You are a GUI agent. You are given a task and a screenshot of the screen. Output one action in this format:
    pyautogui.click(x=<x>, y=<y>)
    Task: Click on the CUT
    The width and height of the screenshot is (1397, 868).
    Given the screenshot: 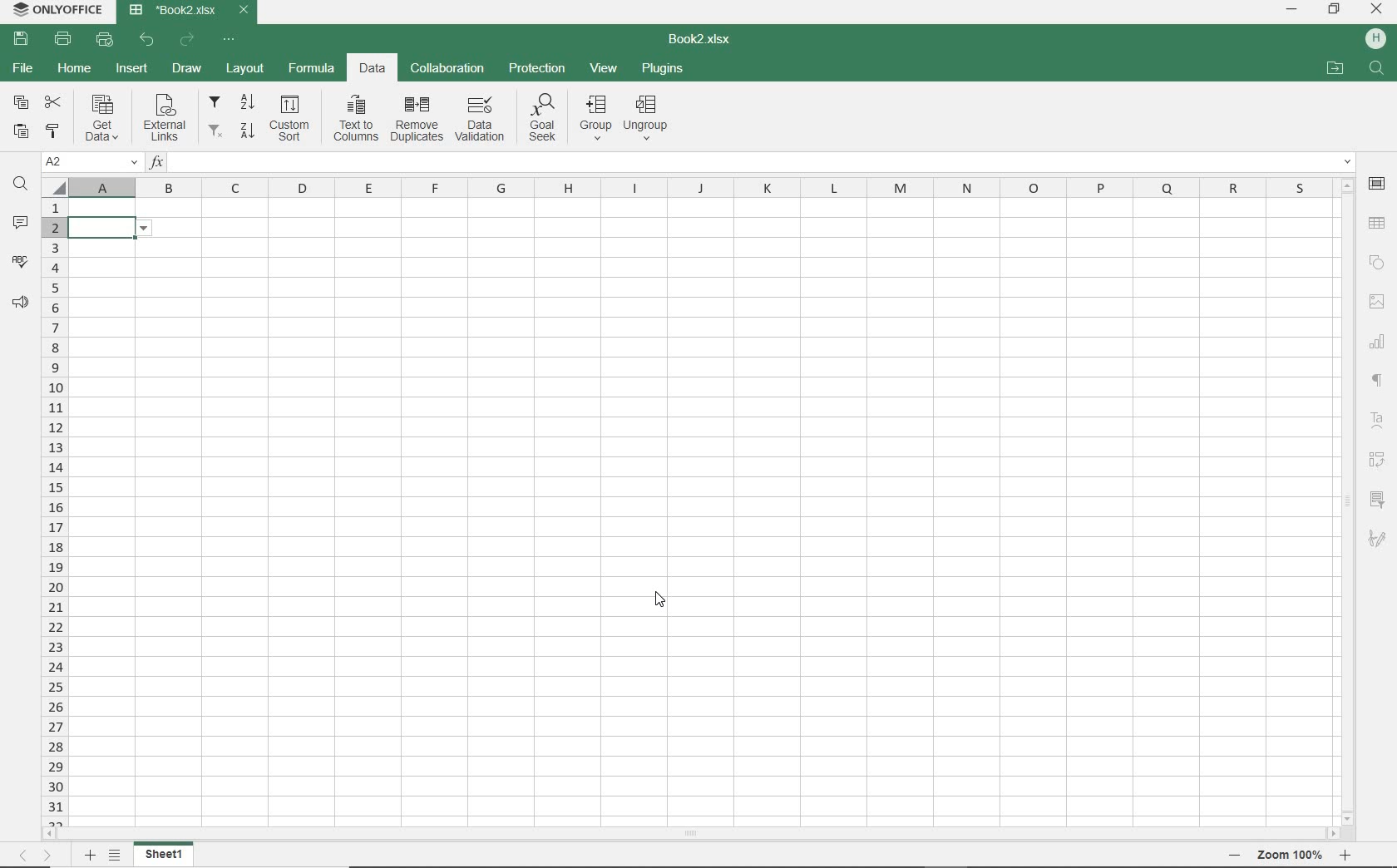 What is the action you would take?
    pyautogui.click(x=53, y=103)
    